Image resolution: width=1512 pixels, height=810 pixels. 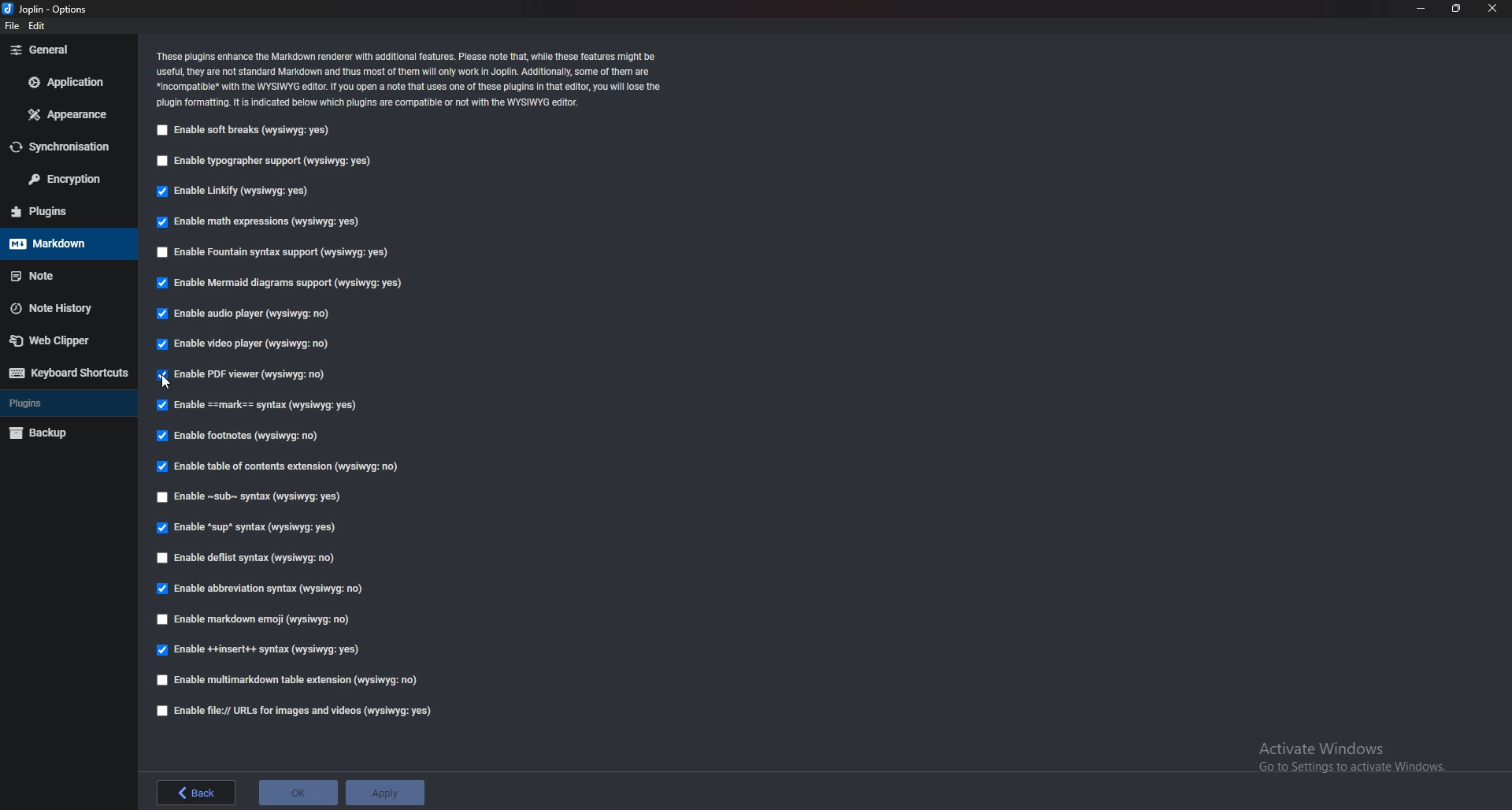 What do you see at coordinates (66, 373) in the screenshot?
I see `Keyboard shortcuts` at bounding box center [66, 373].